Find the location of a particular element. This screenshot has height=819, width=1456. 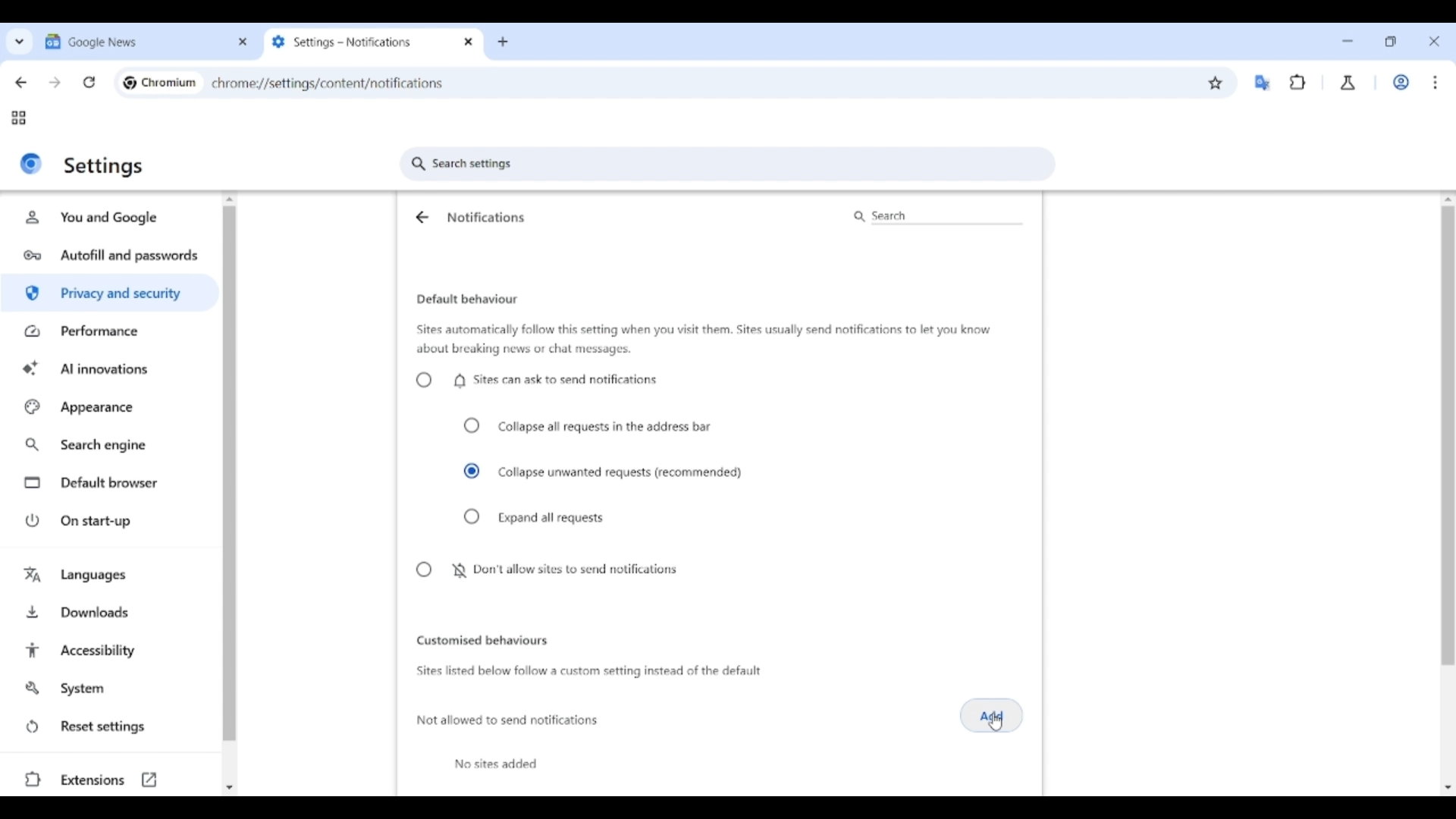

Tab 2 changed is located at coordinates (361, 42).